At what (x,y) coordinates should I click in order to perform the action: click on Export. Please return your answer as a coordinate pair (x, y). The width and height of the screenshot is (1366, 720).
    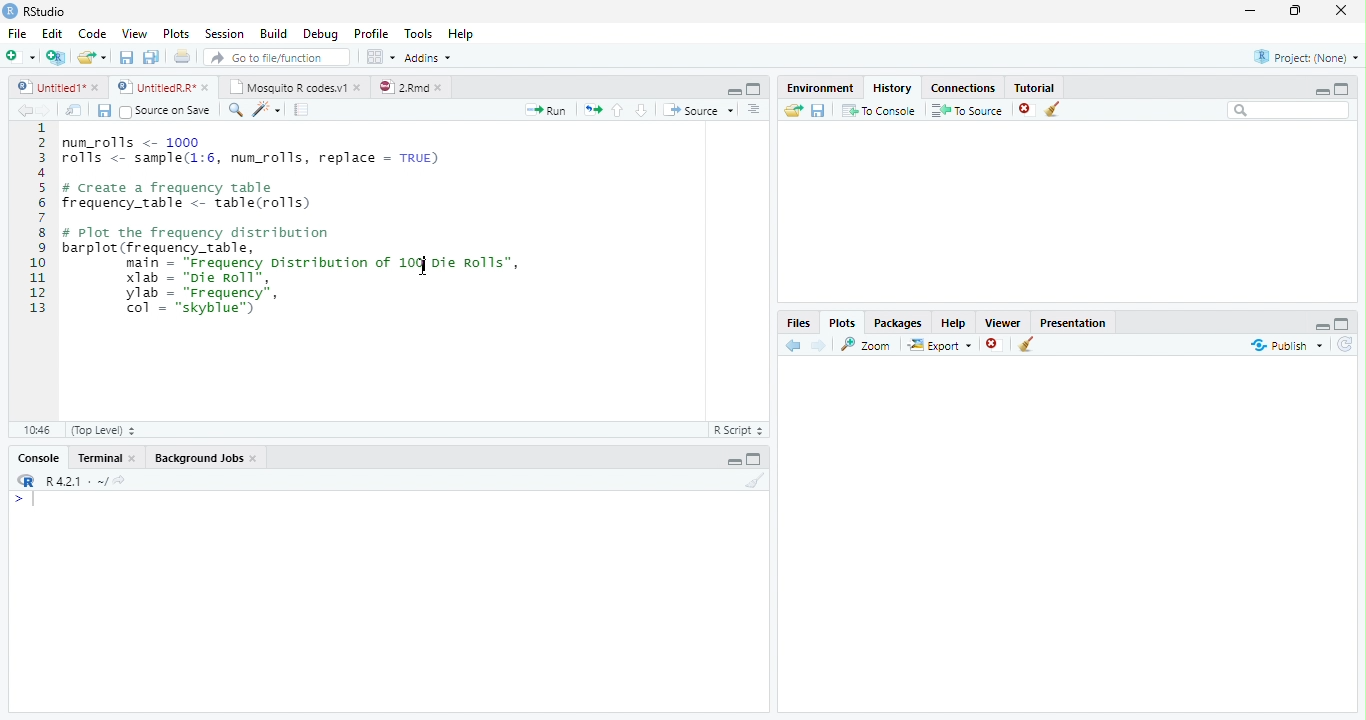
    Looking at the image, I should click on (939, 346).